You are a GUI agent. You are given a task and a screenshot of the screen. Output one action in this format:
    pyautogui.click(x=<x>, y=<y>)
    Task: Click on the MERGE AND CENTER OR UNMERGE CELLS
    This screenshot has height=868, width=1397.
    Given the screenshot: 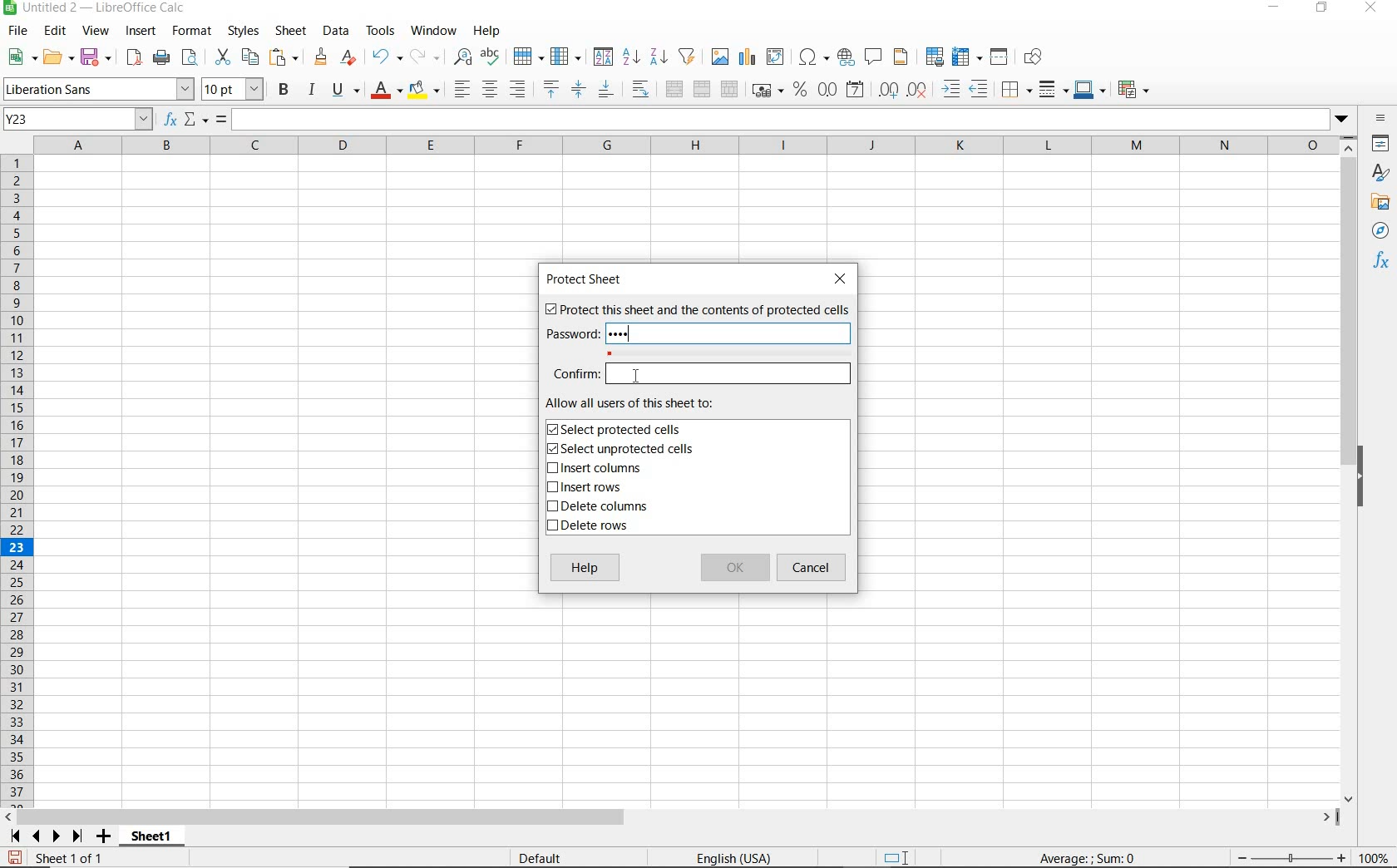 What is the action you would take?
    pyautogui.click(x=674, y=89)
    